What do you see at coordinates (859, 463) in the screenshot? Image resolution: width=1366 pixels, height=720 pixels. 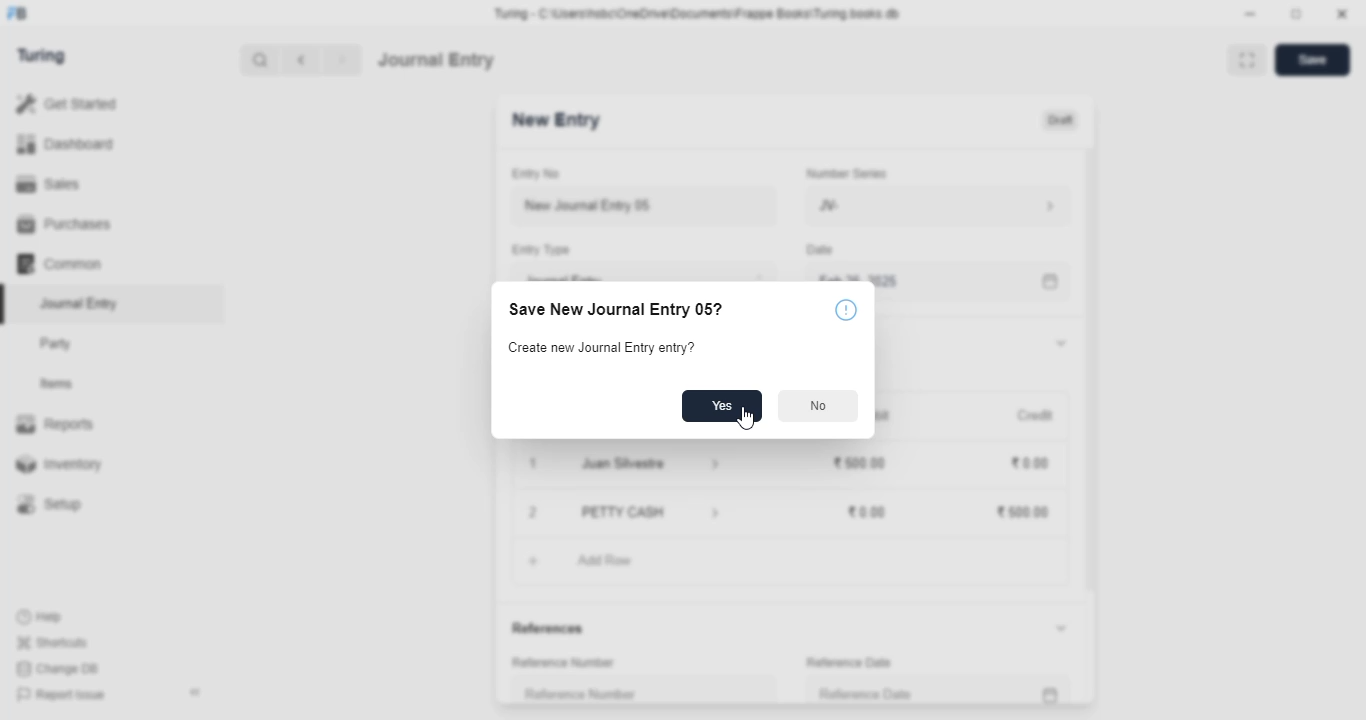 I see `₹500.00` at bounding box center [859, 463].